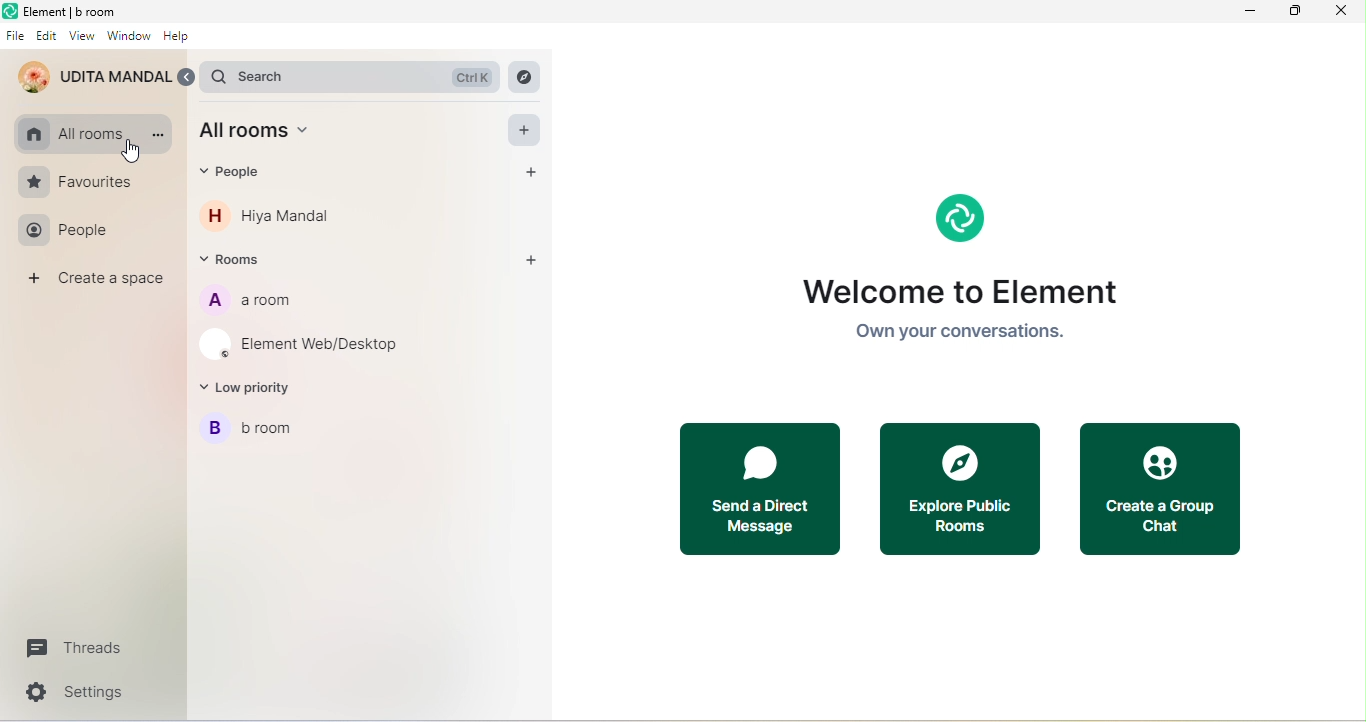  I want to click on add , so click(527, 130).